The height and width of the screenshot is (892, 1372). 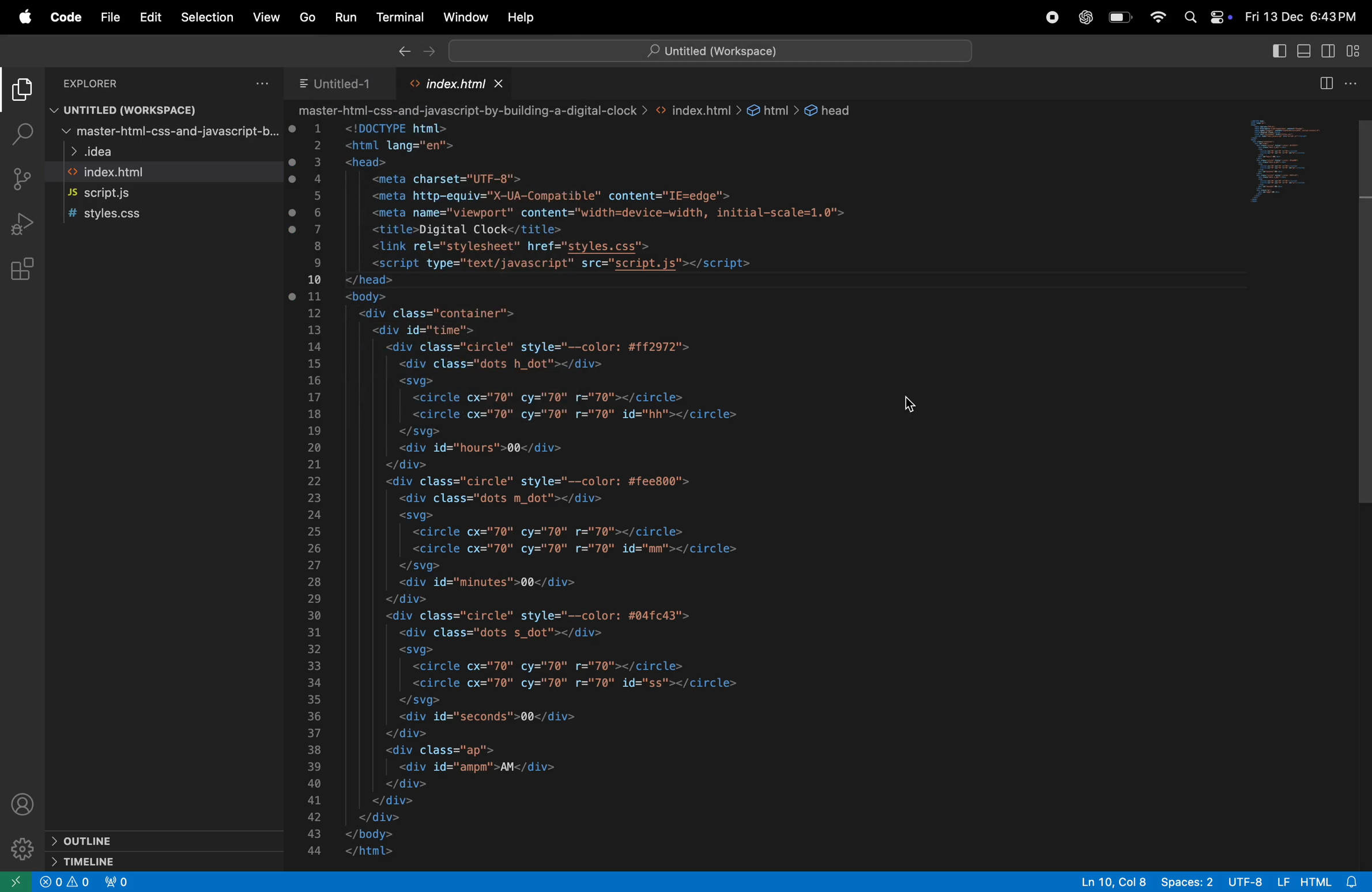 I want to click on style .css, so click(x=116, y=216).